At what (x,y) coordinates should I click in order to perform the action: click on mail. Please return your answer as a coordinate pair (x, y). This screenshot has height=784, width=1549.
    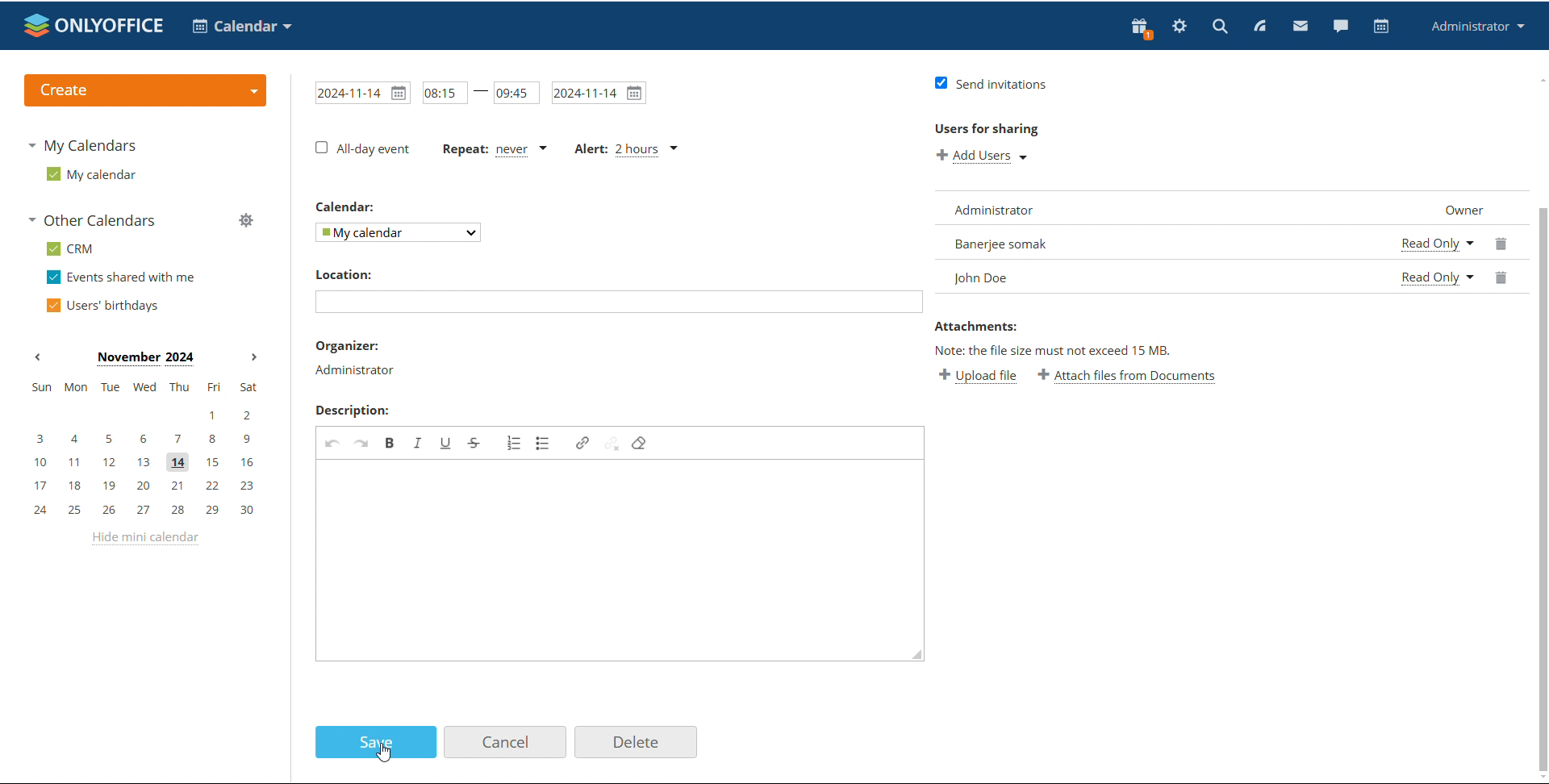
    Looking at the image, I should click on (1300, 25).